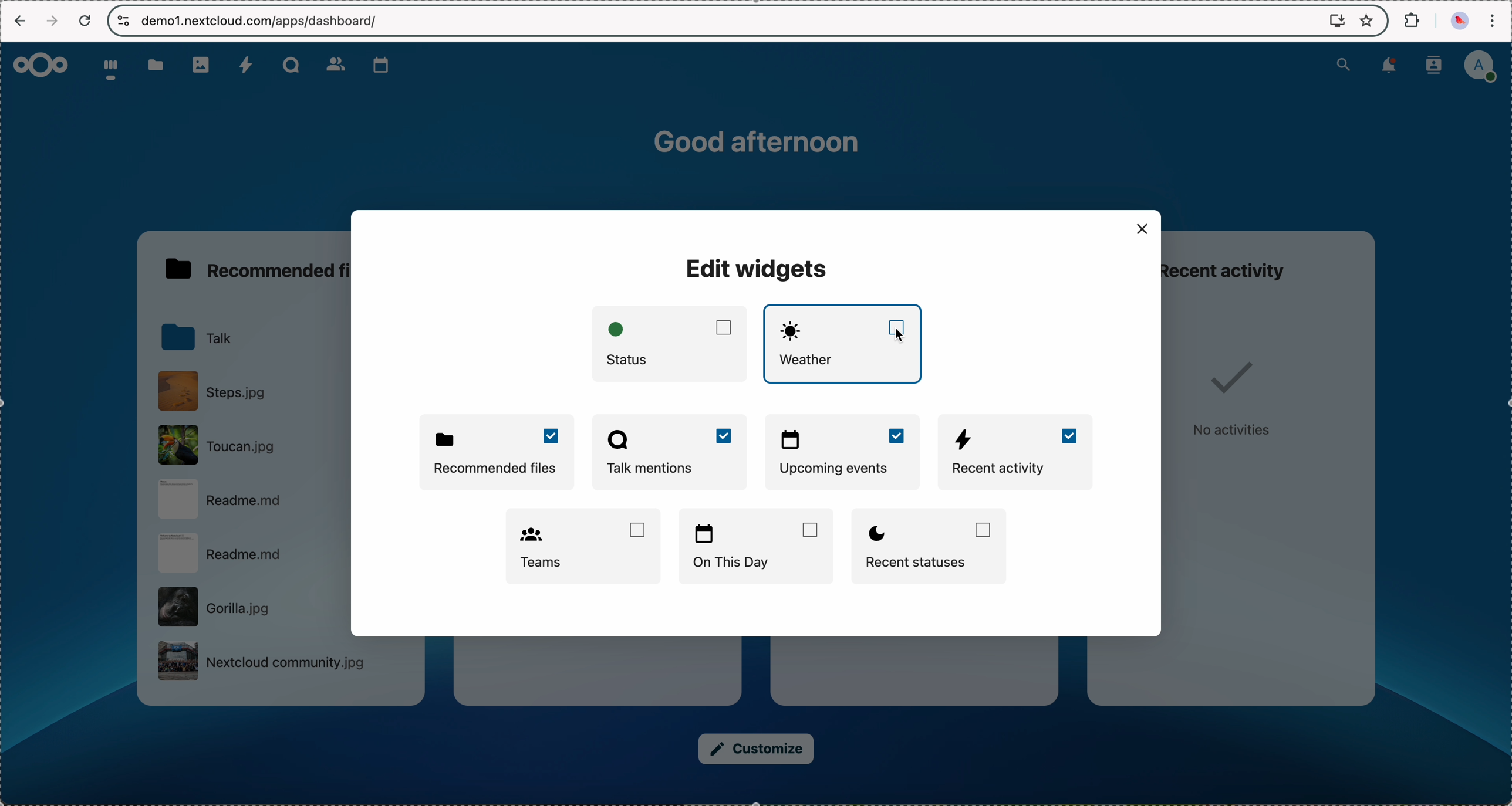 The width and height of the screenshot is (1512, 806). Describe the element at coordinates (121, 21) in the screenshot. I see `controls` at that location.